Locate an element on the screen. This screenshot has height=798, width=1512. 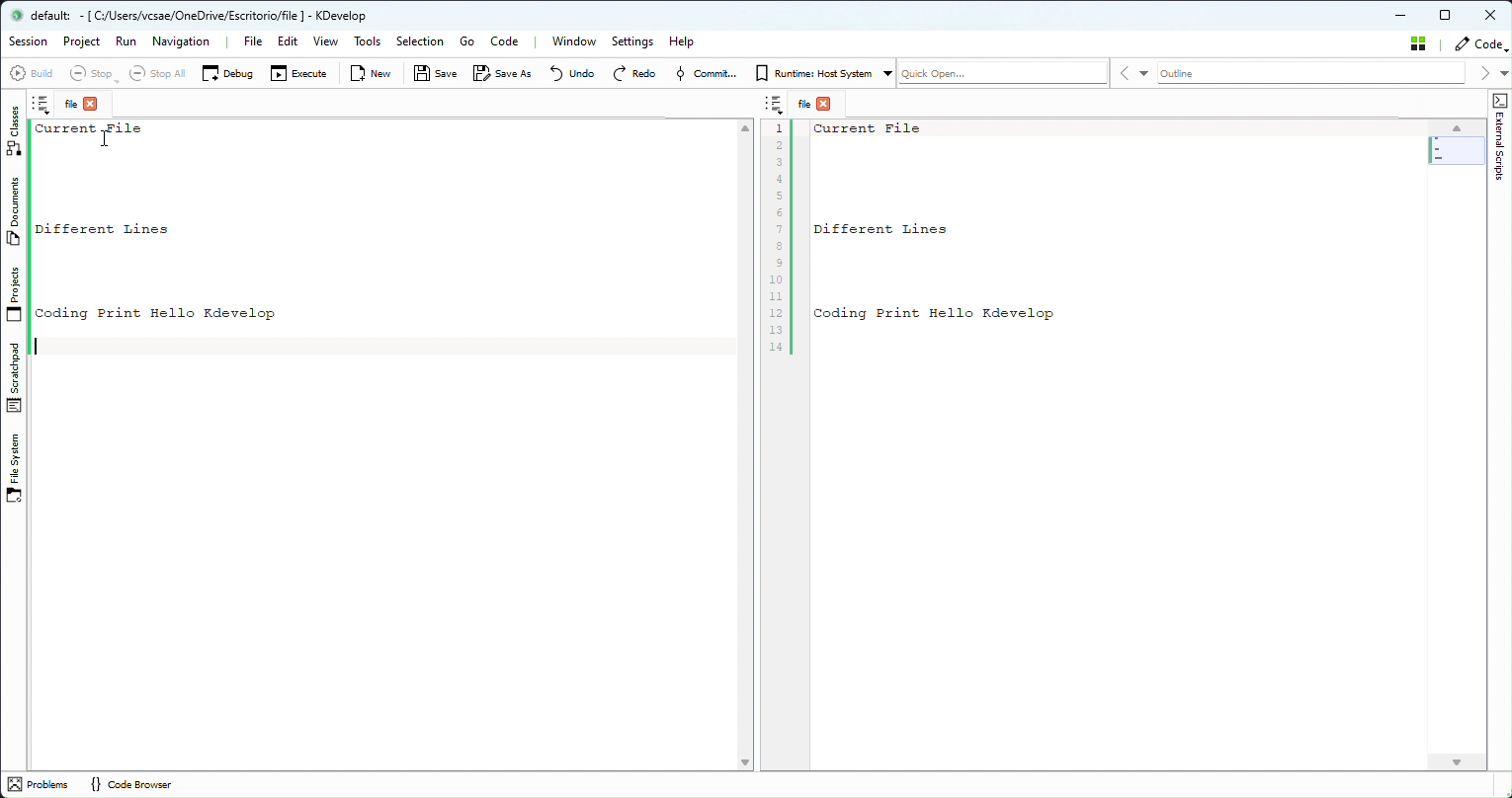
Classes is located at coordinates (15, 130).